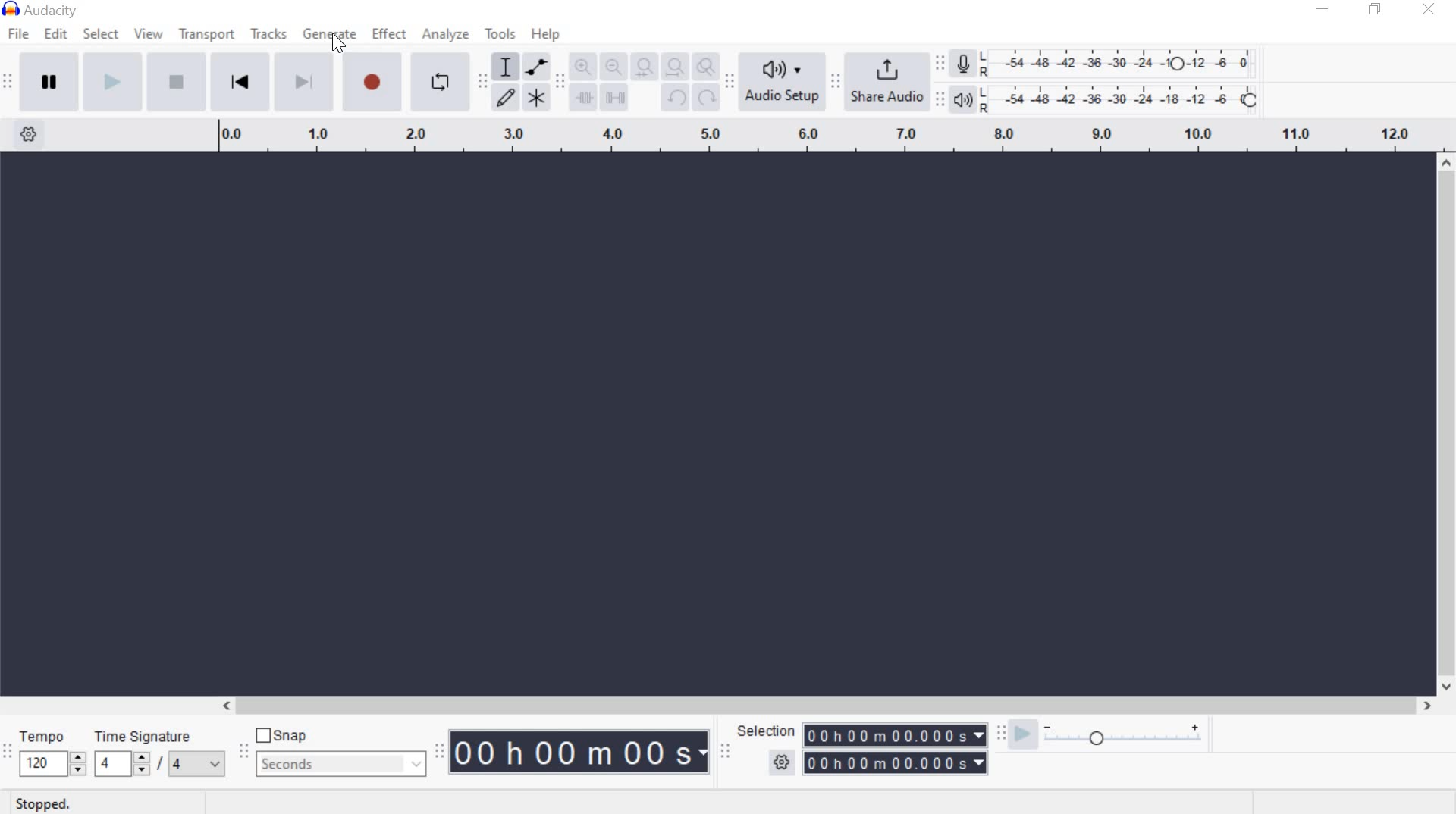  I want to click on Skip to Start, so click(240, 80).